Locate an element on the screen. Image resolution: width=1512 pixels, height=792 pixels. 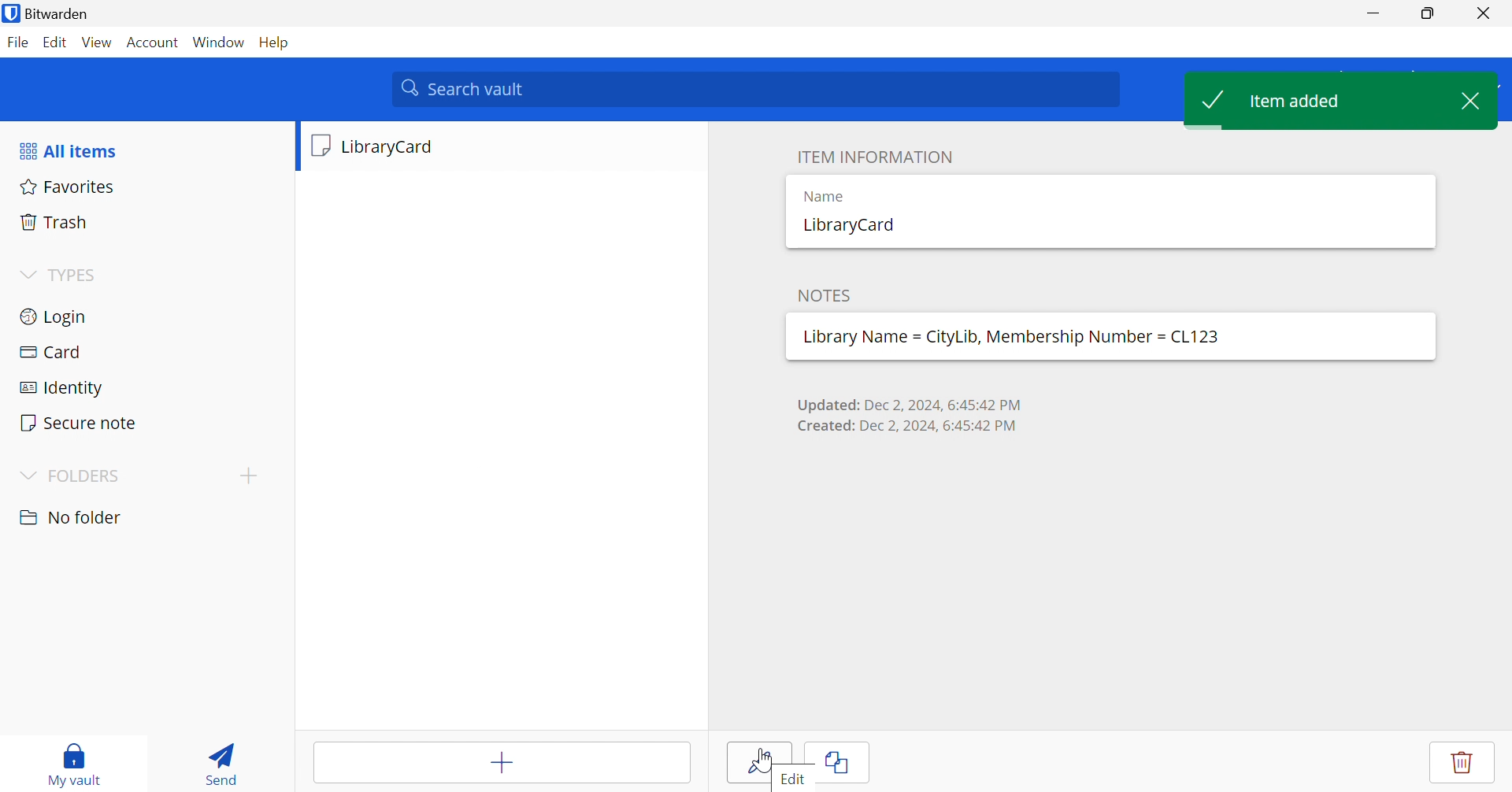
help is located at coordinates (276, 42).